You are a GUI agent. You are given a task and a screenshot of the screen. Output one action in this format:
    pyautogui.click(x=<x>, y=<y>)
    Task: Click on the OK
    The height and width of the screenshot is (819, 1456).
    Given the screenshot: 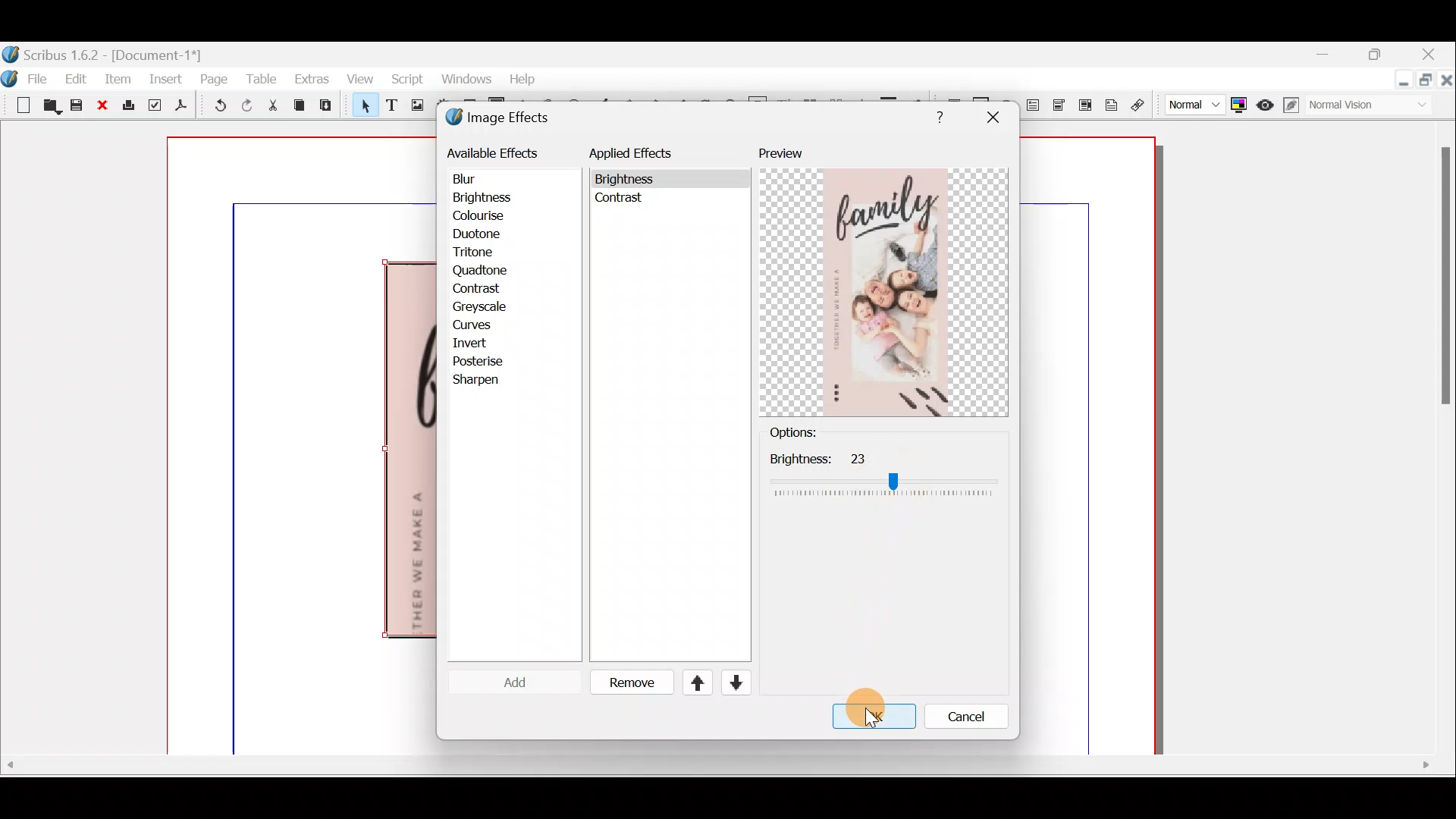 What is the action you would take?
    pyautogui.click(x=868, y=718)
    